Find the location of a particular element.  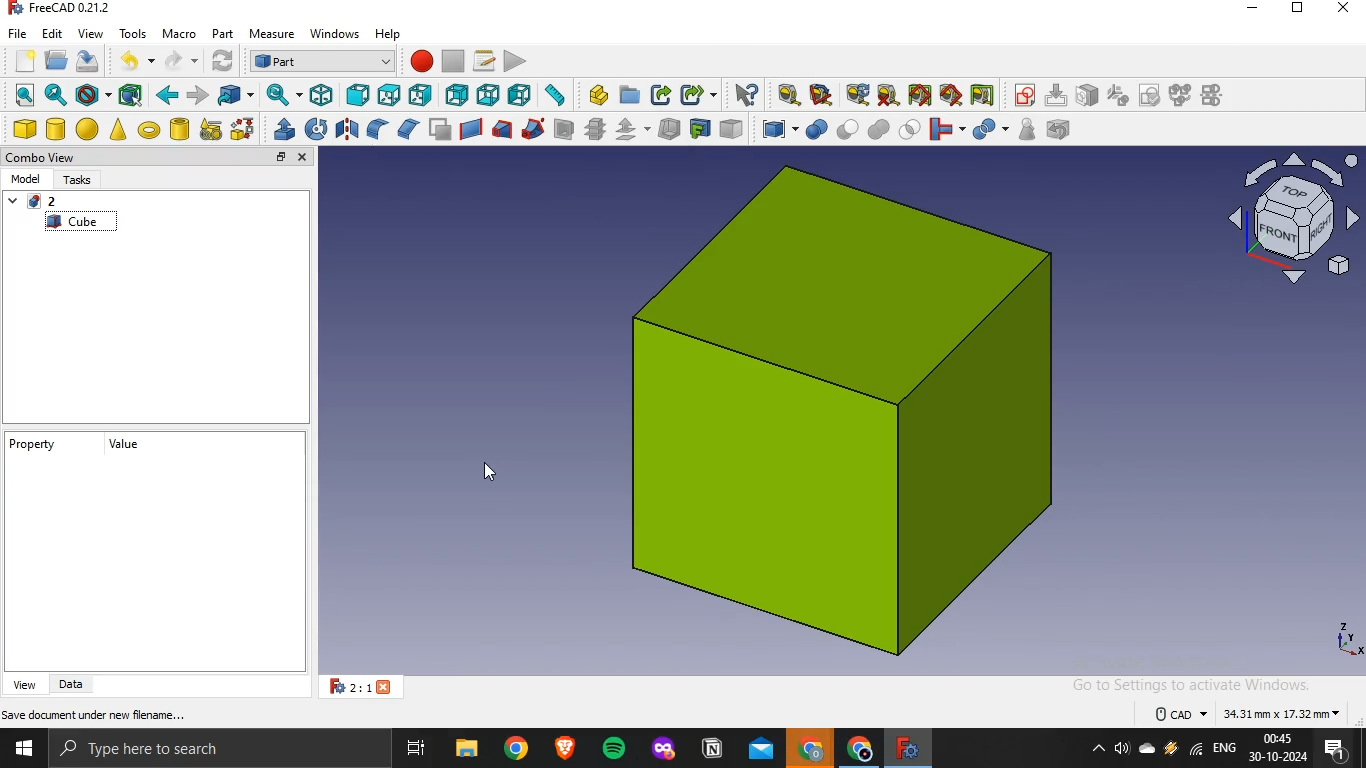

english is located at coordinates (1227, 751).